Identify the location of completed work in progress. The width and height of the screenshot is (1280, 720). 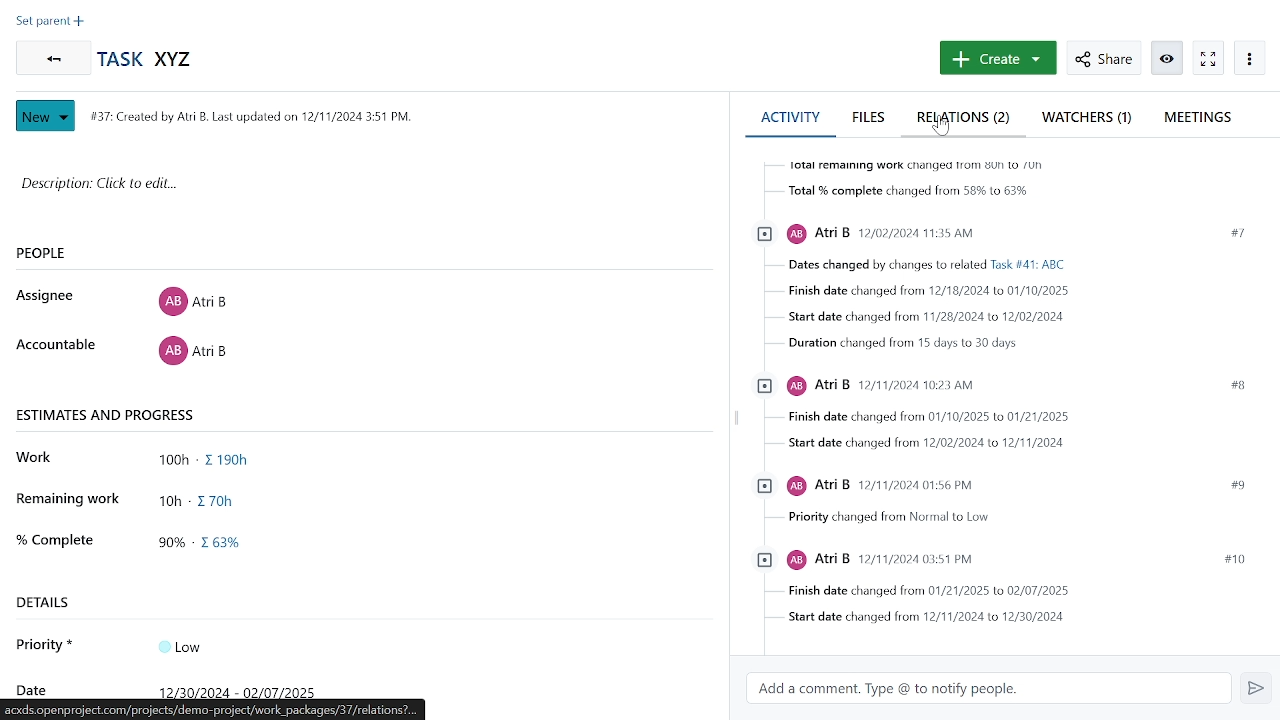
(209, 545).